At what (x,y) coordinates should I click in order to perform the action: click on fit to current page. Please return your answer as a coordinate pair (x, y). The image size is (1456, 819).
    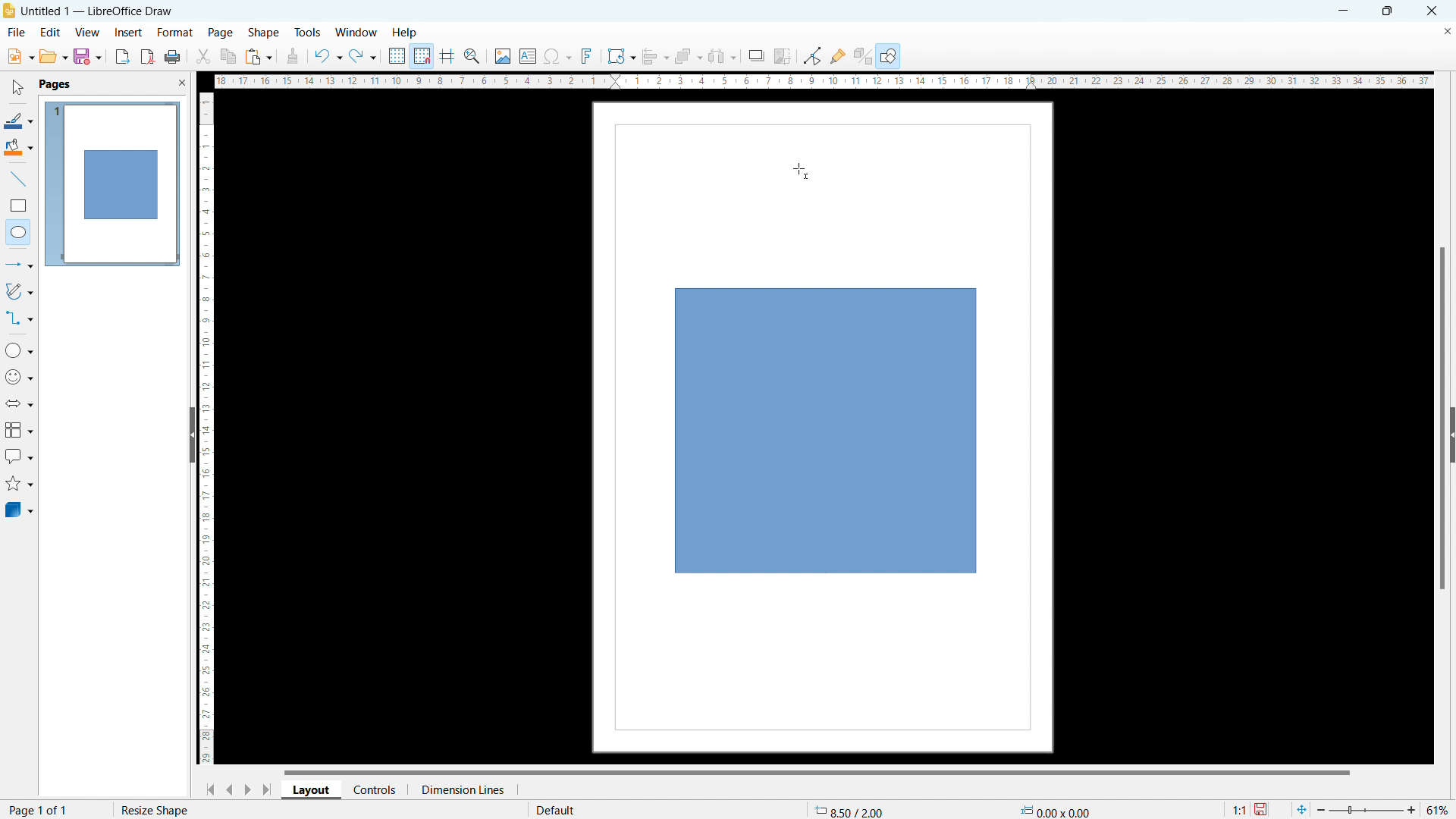
    Looking at the image, I should click on (1301, 809).